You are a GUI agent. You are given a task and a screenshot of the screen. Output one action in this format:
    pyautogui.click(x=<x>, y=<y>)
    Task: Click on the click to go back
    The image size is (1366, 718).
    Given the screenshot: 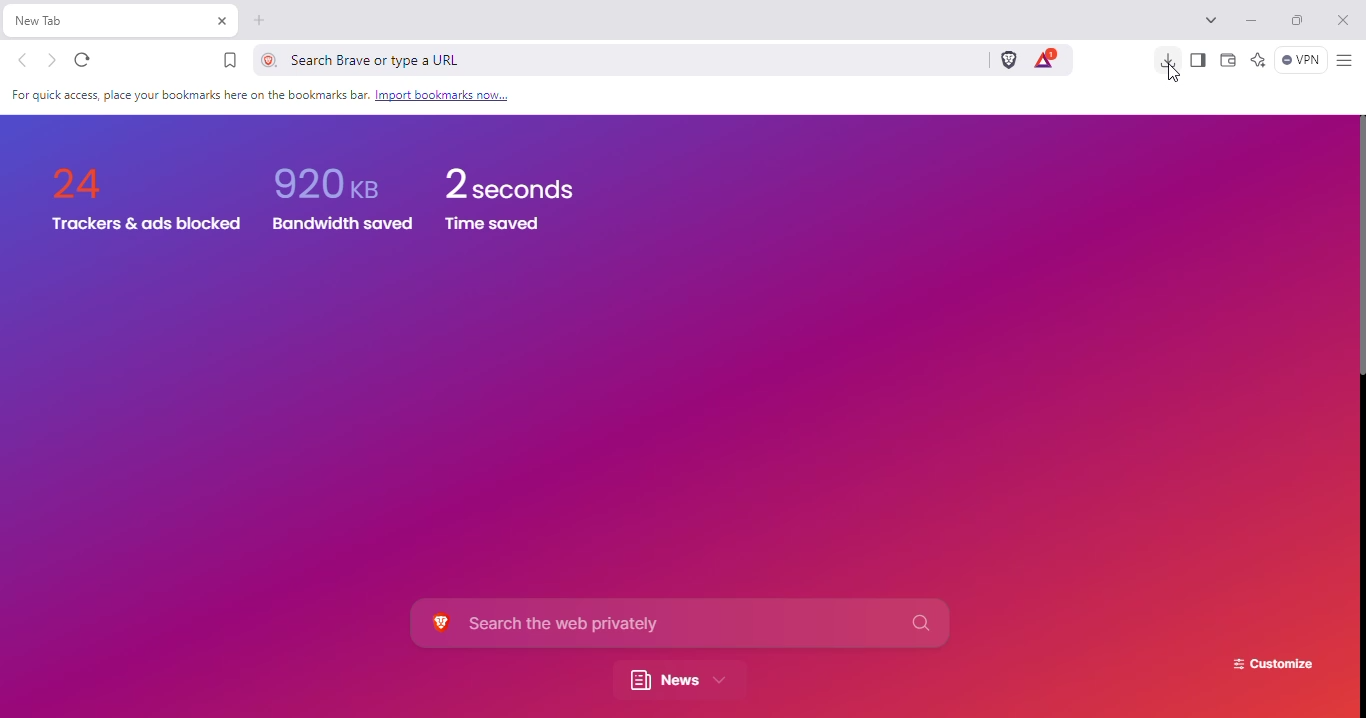 What is the action you would take?
    pyautogui.click(x=23, y=60)
    